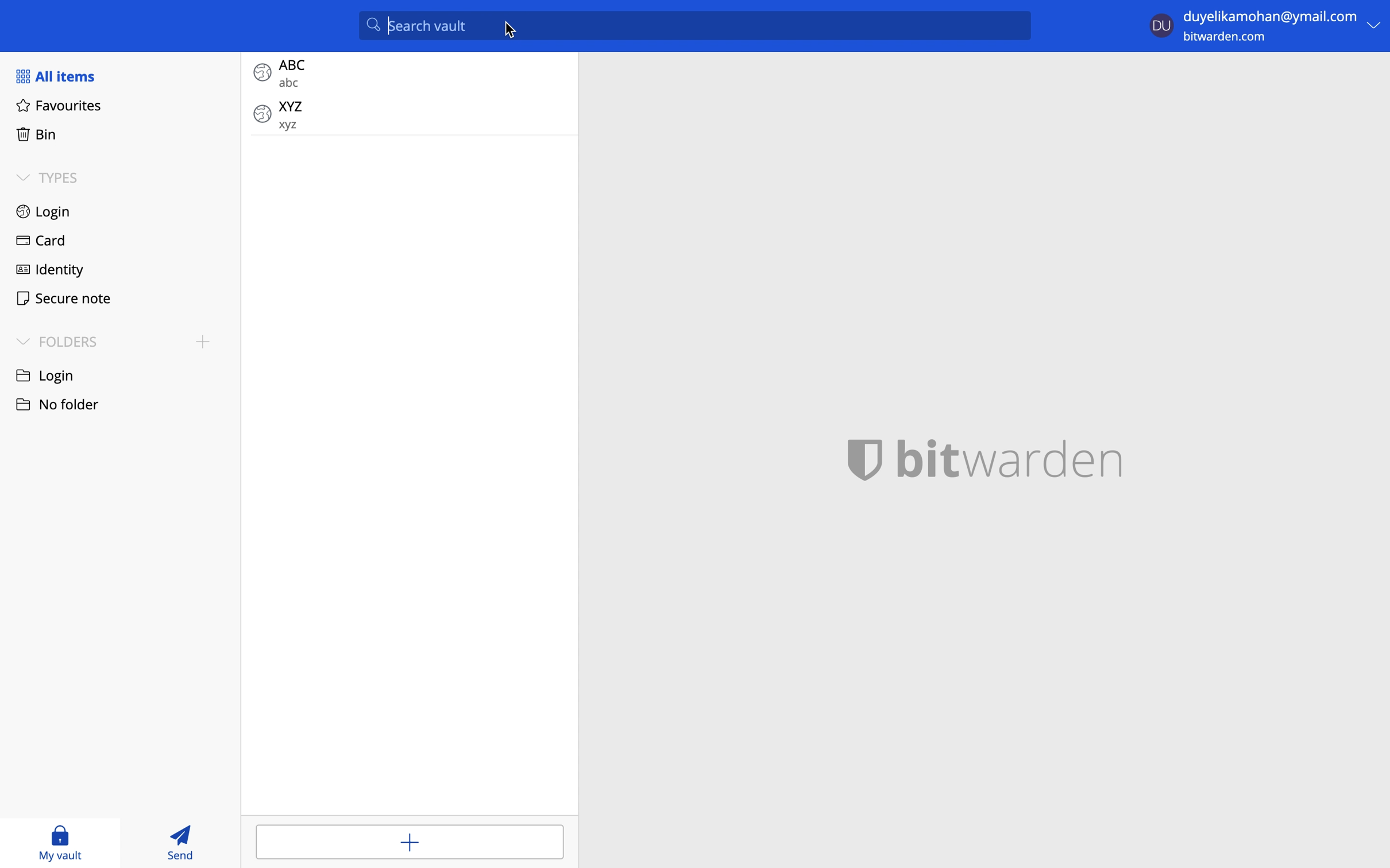 This screenshot has width=1390, height=868. Describe the element at coordinates (55, 178) in the screenshot. I see `types` at that location.